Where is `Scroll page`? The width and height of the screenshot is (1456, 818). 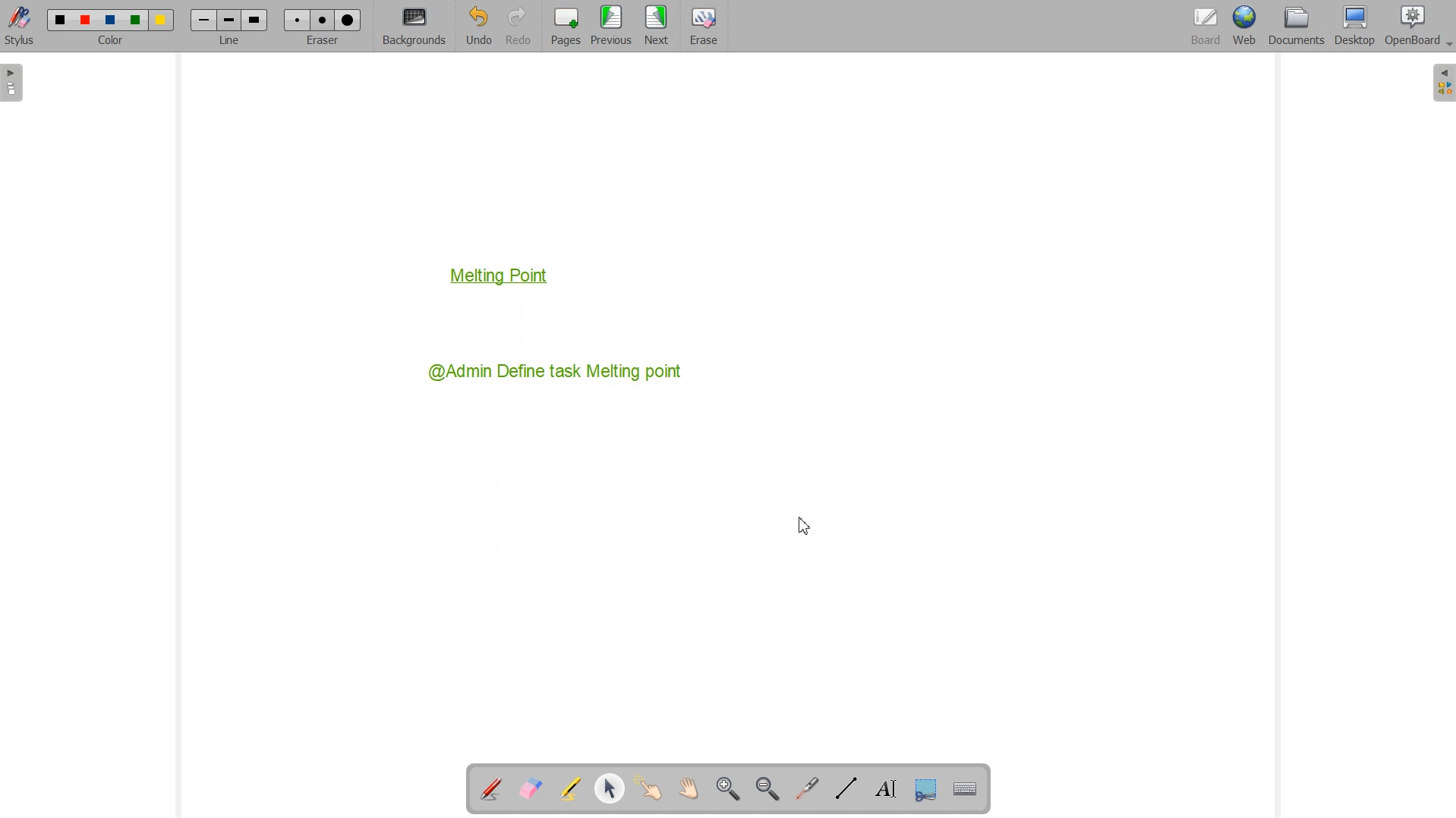
Scroll page is located at coordinates (686, 789).